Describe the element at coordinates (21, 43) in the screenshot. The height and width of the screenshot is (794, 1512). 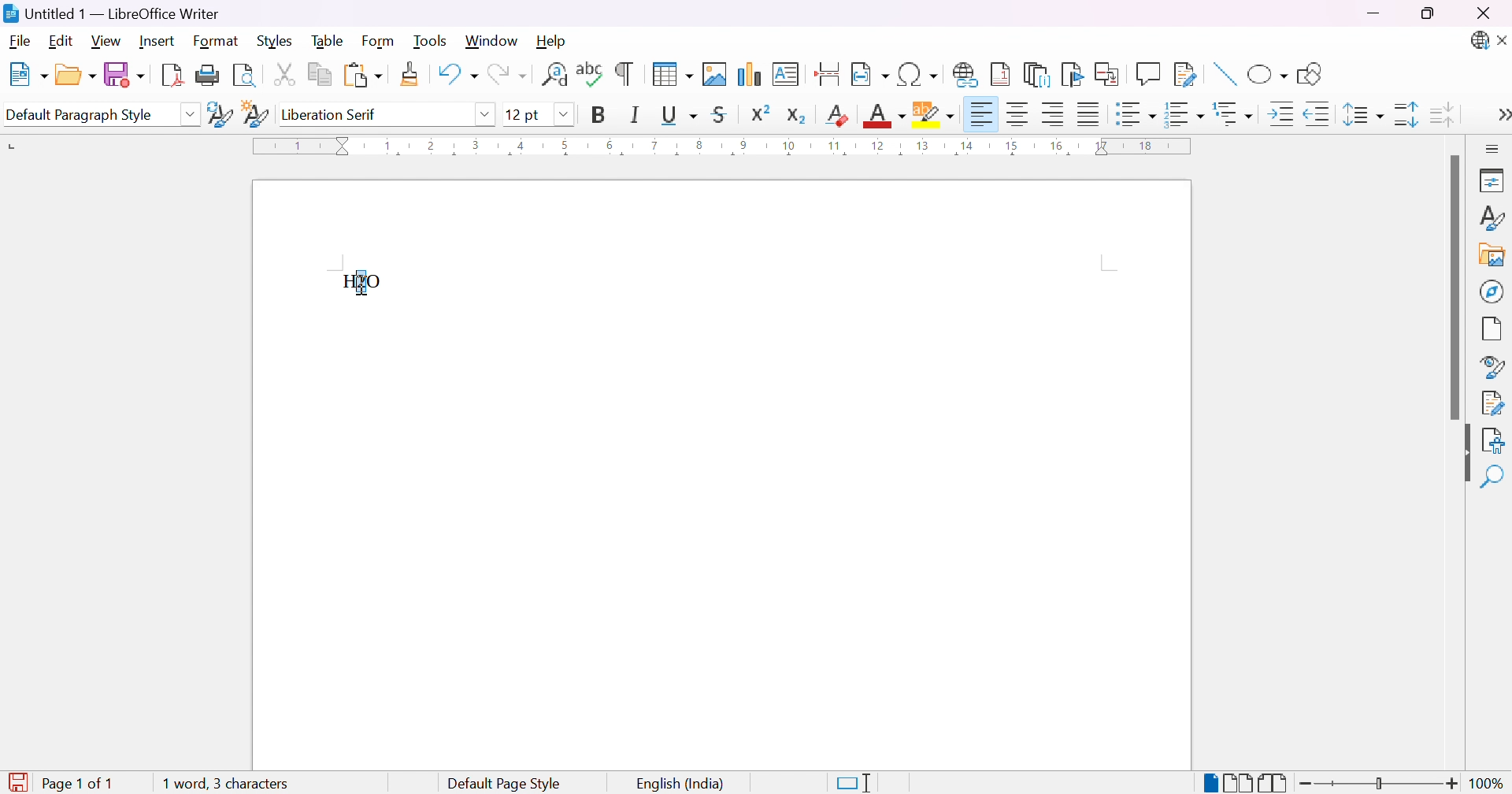
I see `File` at that location.